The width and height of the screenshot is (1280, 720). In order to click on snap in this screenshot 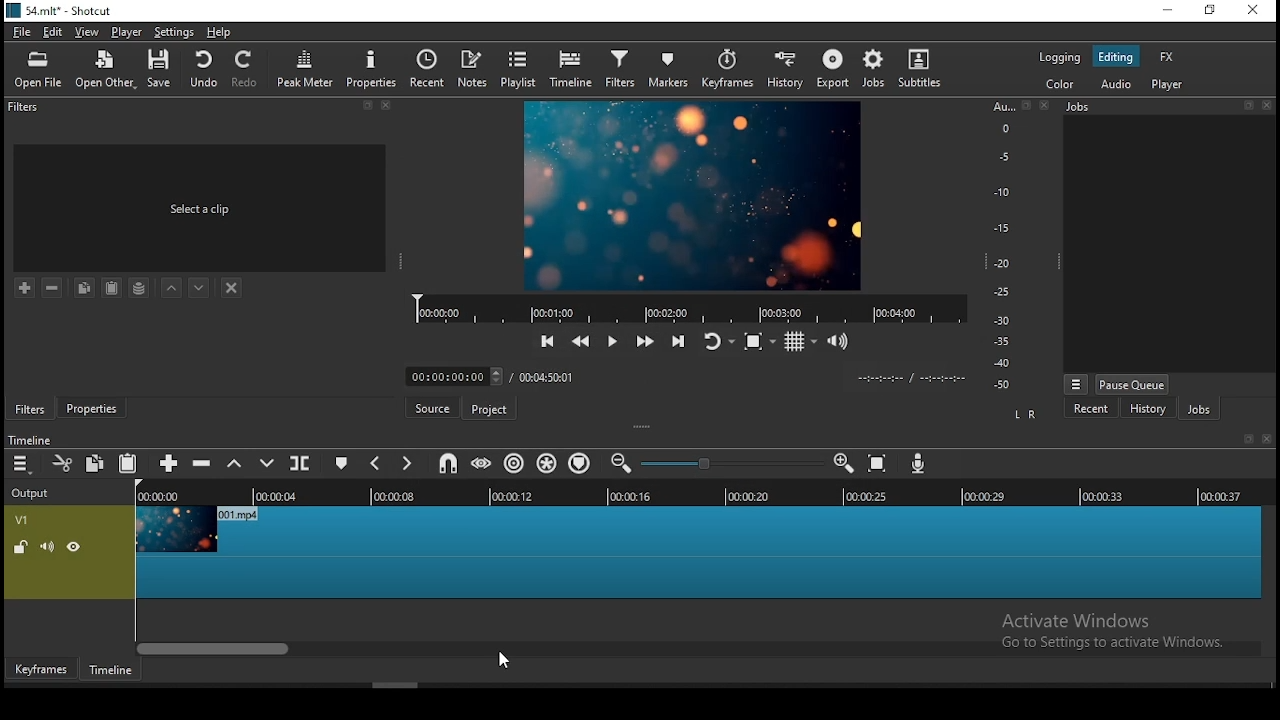, I will do `click(448, 463)`.